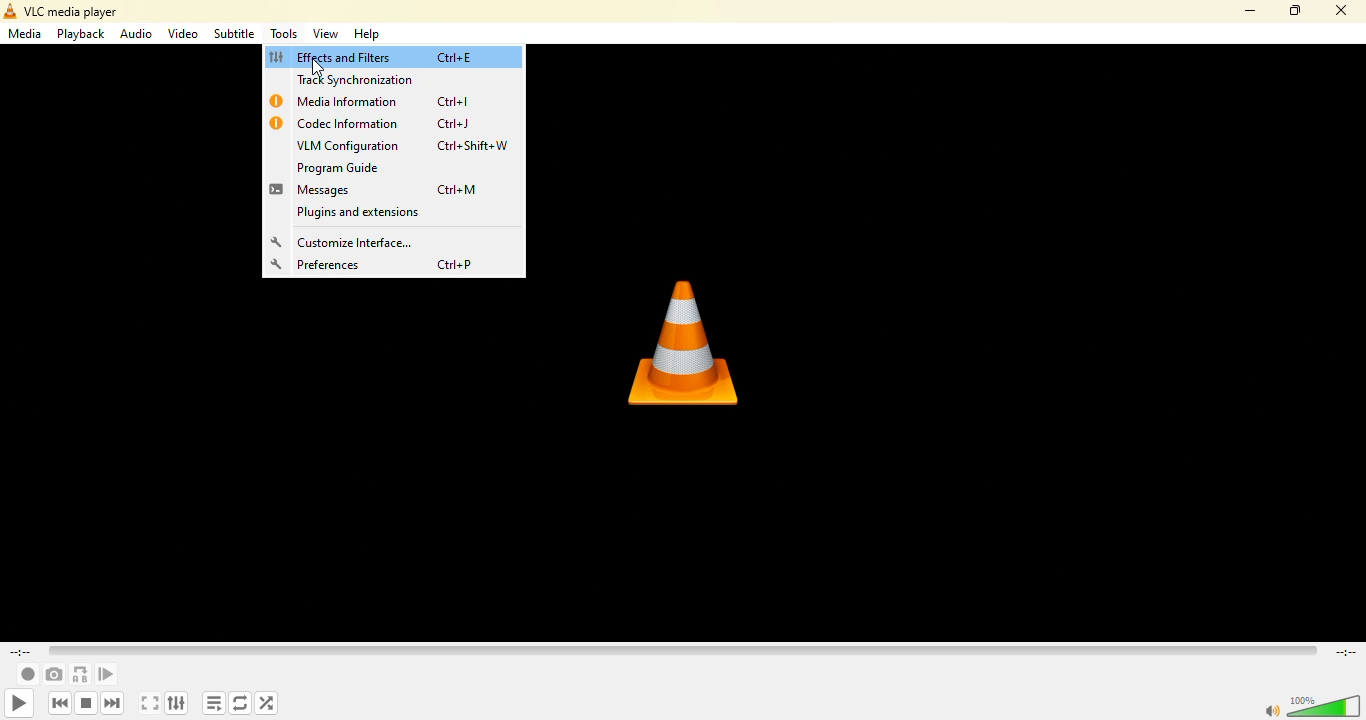 This screenshot has width=1366, height=720. What do you see at coordinates (345, 125) in the screenshot?
I see `codex information` at bounding box center [345, 125].